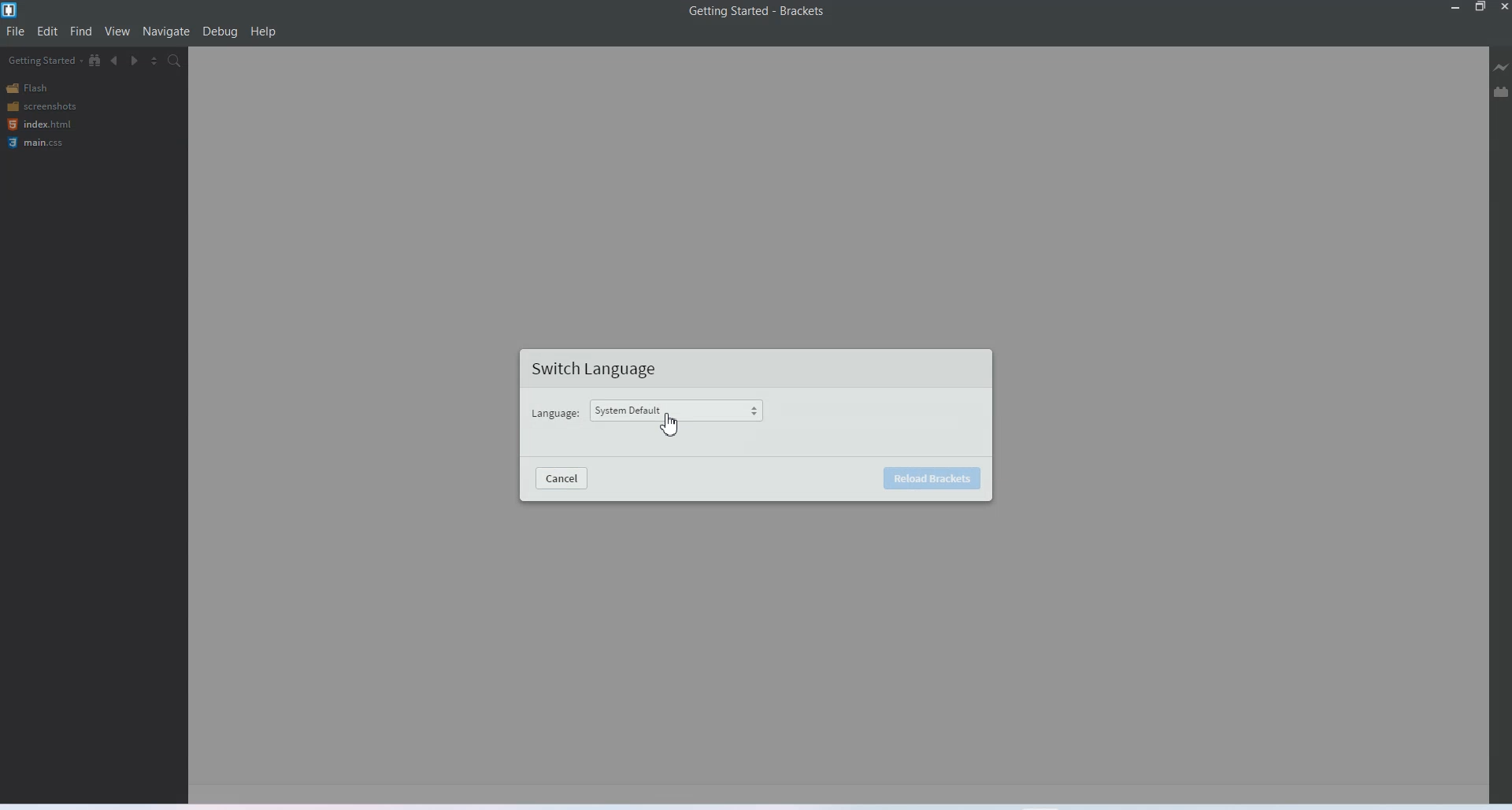 The height and width of the screenshot is (810, 1512). What do you see at coordinates (263, 31) in the screenshot?
I see `Help` at bounding box center [263, 31].